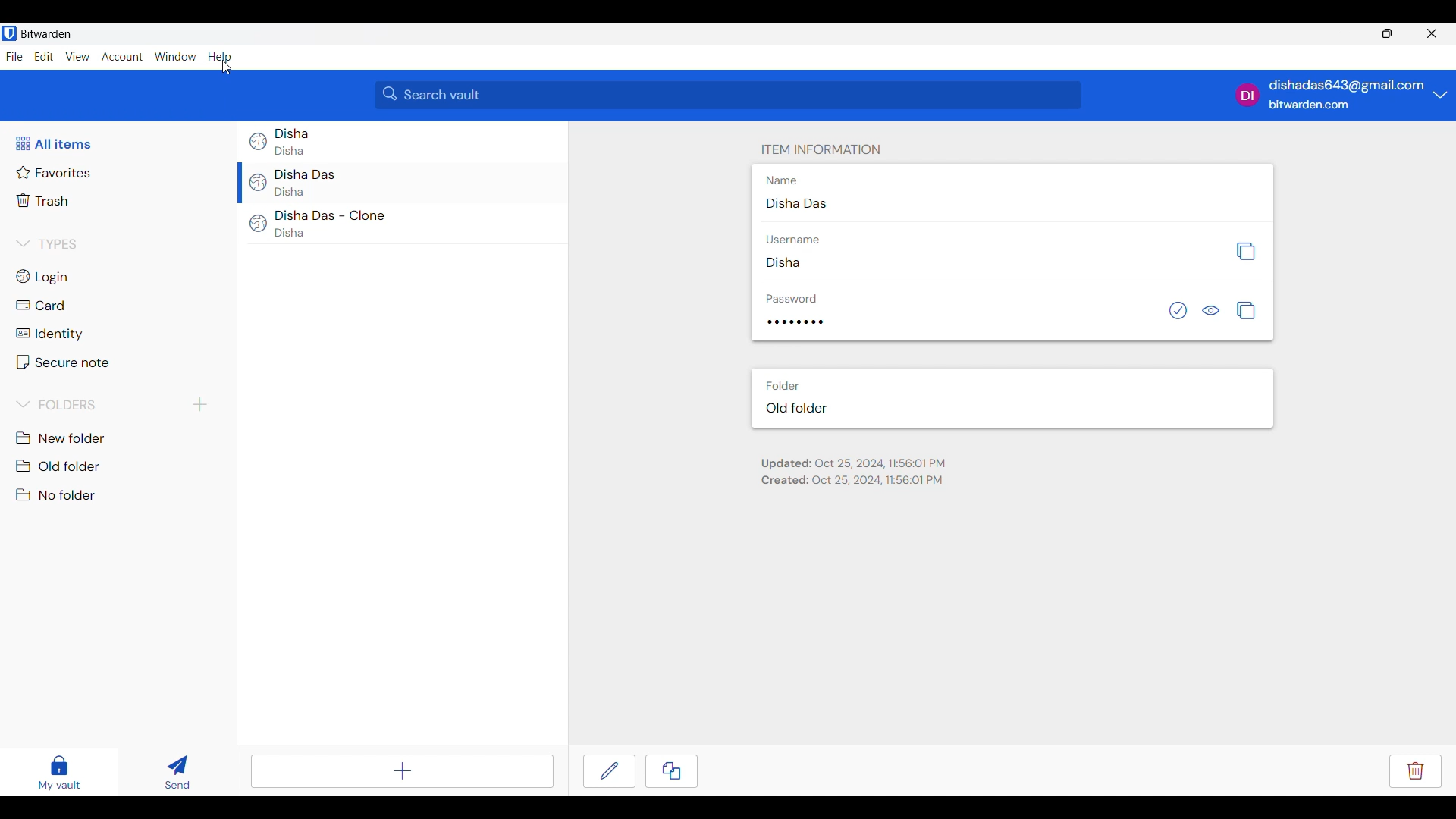 The width and height of the screenshot is (1456, 819). What do you see at coordinates (609, 771) in the screenshot?
I see `Edit ` at bounding box center [609, 771].